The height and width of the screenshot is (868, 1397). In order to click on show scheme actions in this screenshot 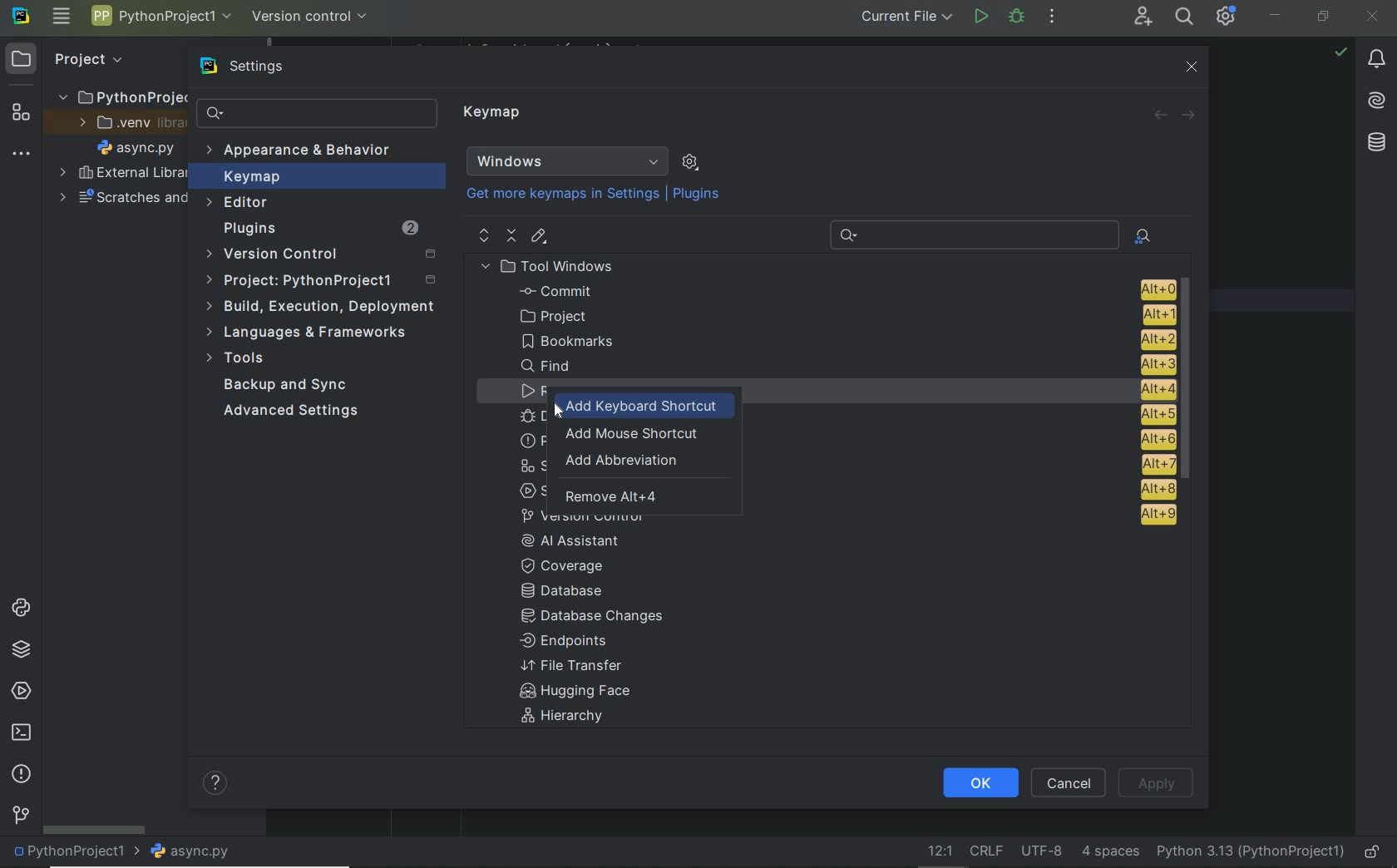, I will do `click(690, 161)`.